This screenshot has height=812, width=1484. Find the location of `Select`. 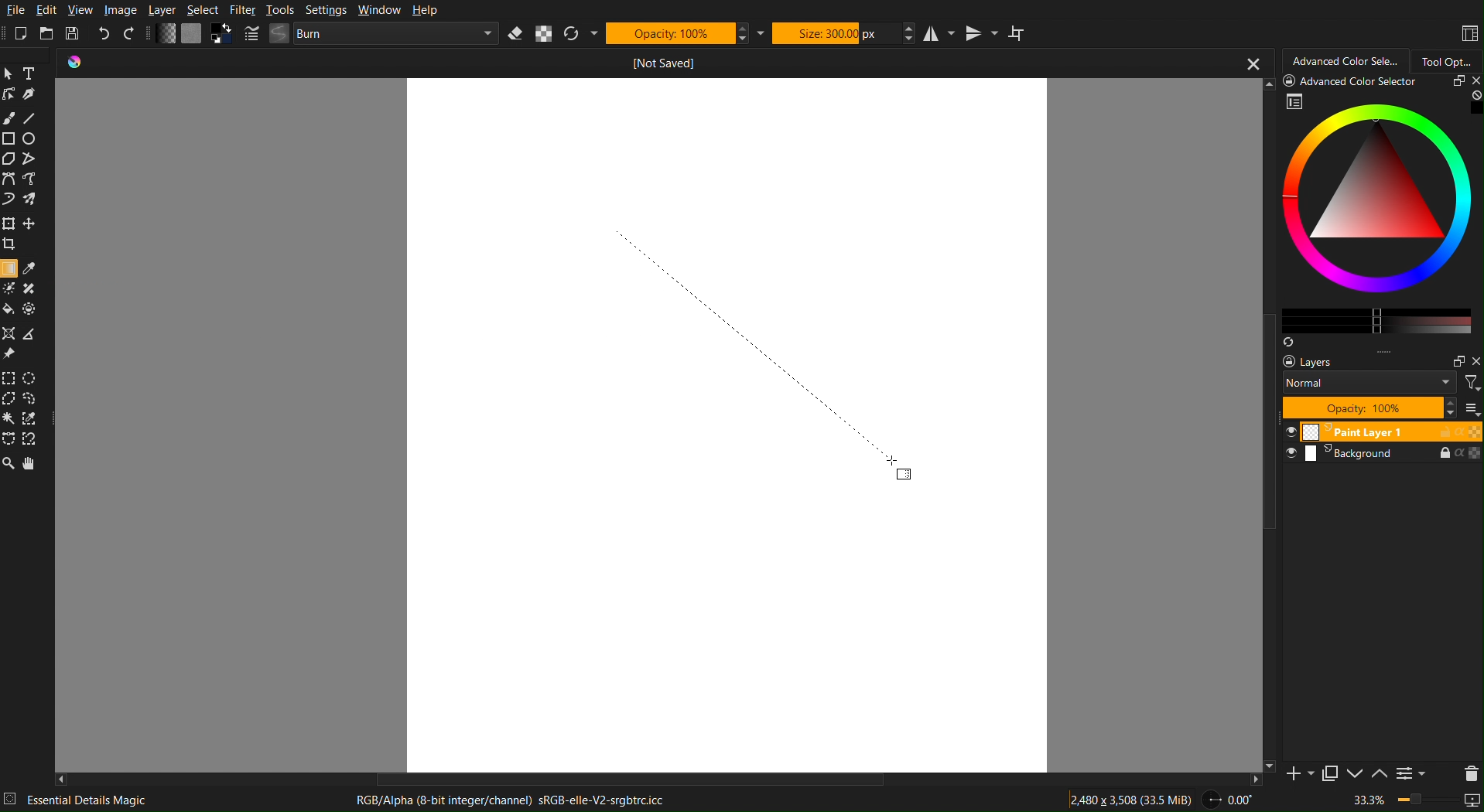

Select is located at coordinates (203, 10).